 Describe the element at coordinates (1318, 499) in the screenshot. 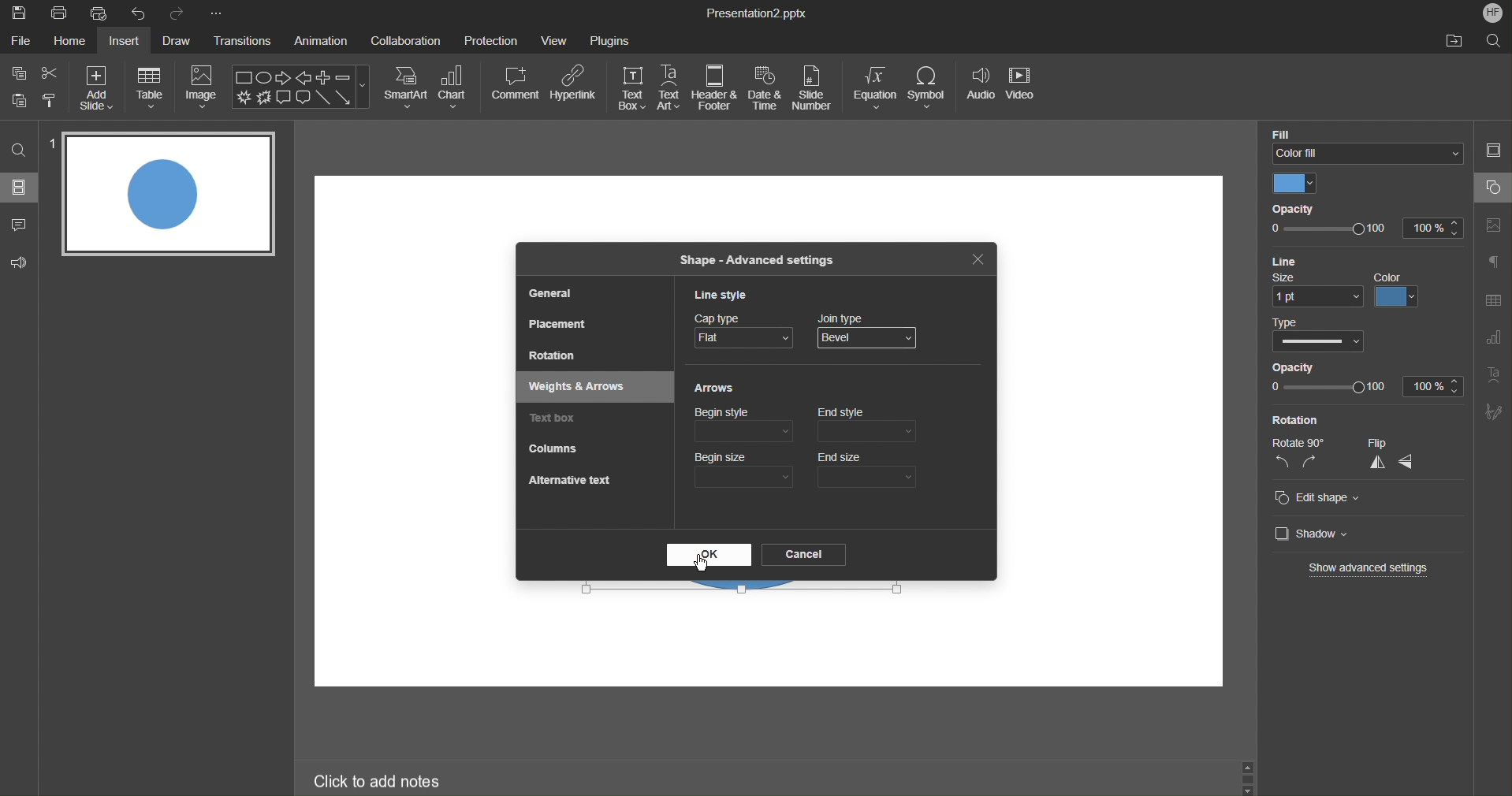

I see `Edit shape` at that location.